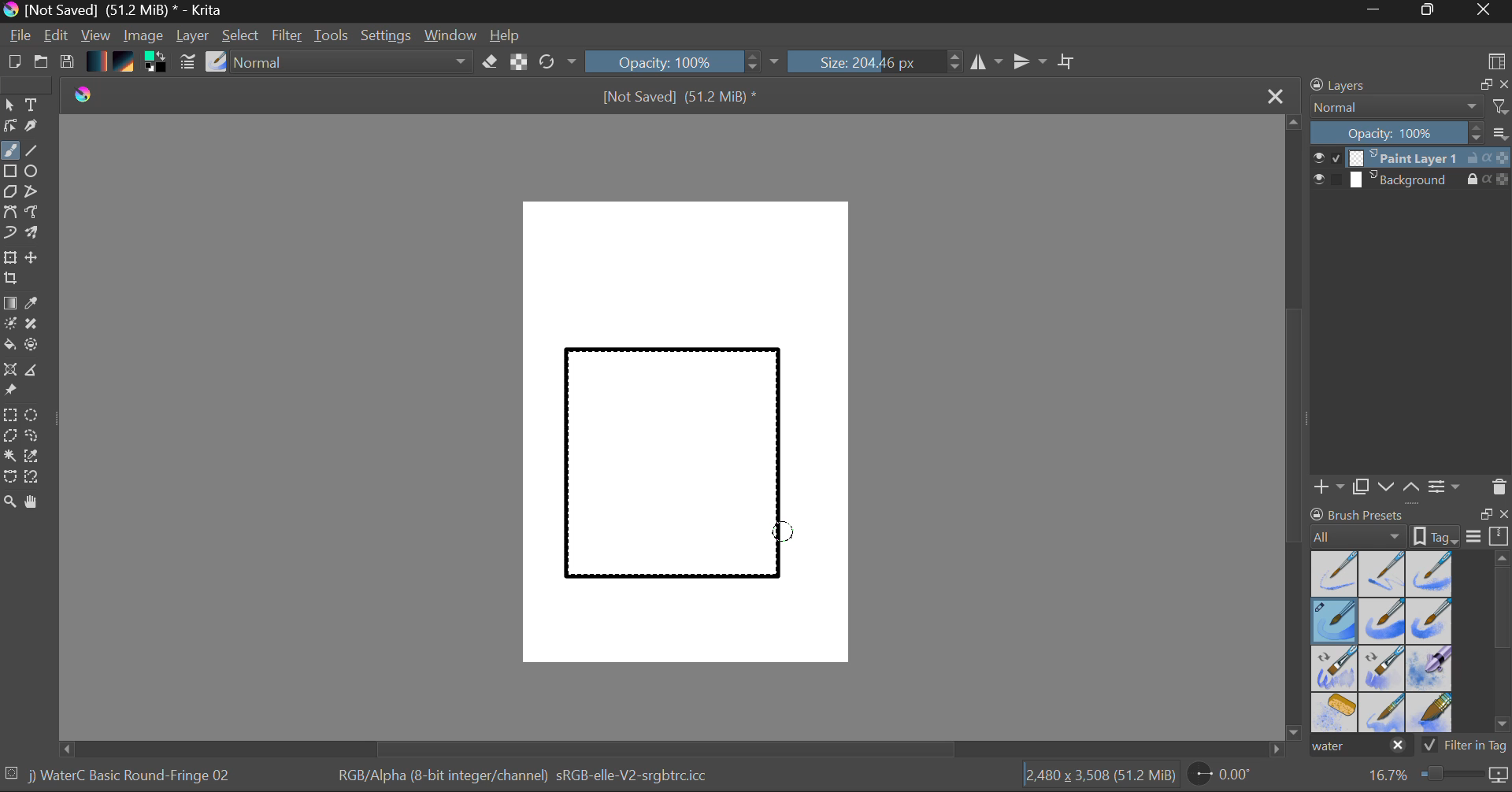 This screenshot has height=792, width=1512. Describe the element at coordinates (1379, 11) in the screenshot. I see `Restore Down` at that location.